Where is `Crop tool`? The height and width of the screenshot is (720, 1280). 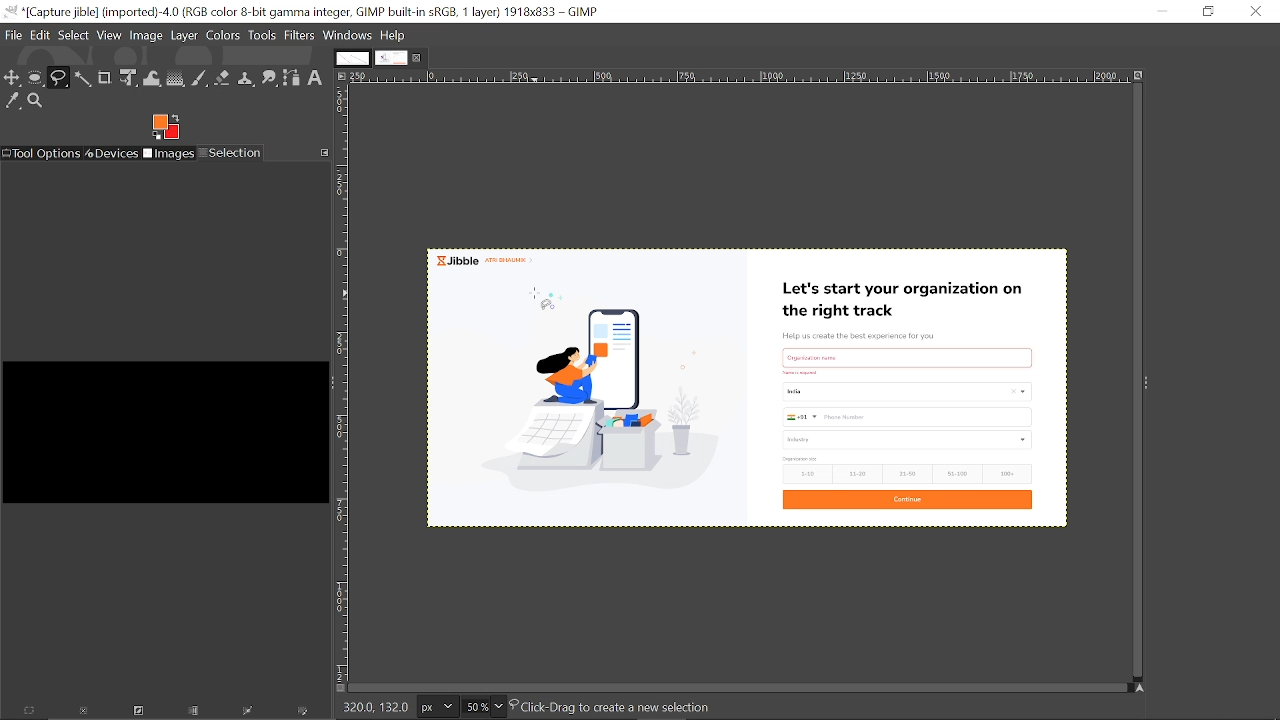 Crop tool is located at coordinates (104, 78).